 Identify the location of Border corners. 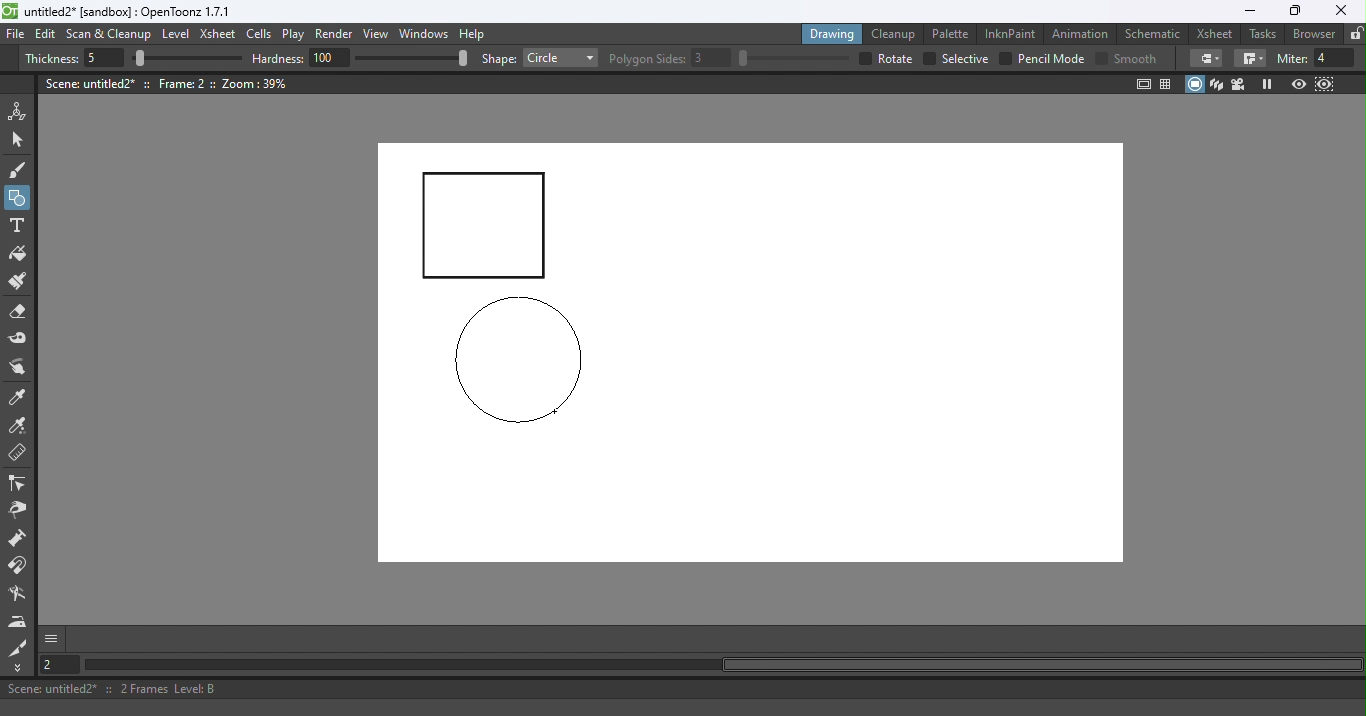
(1250, 59).